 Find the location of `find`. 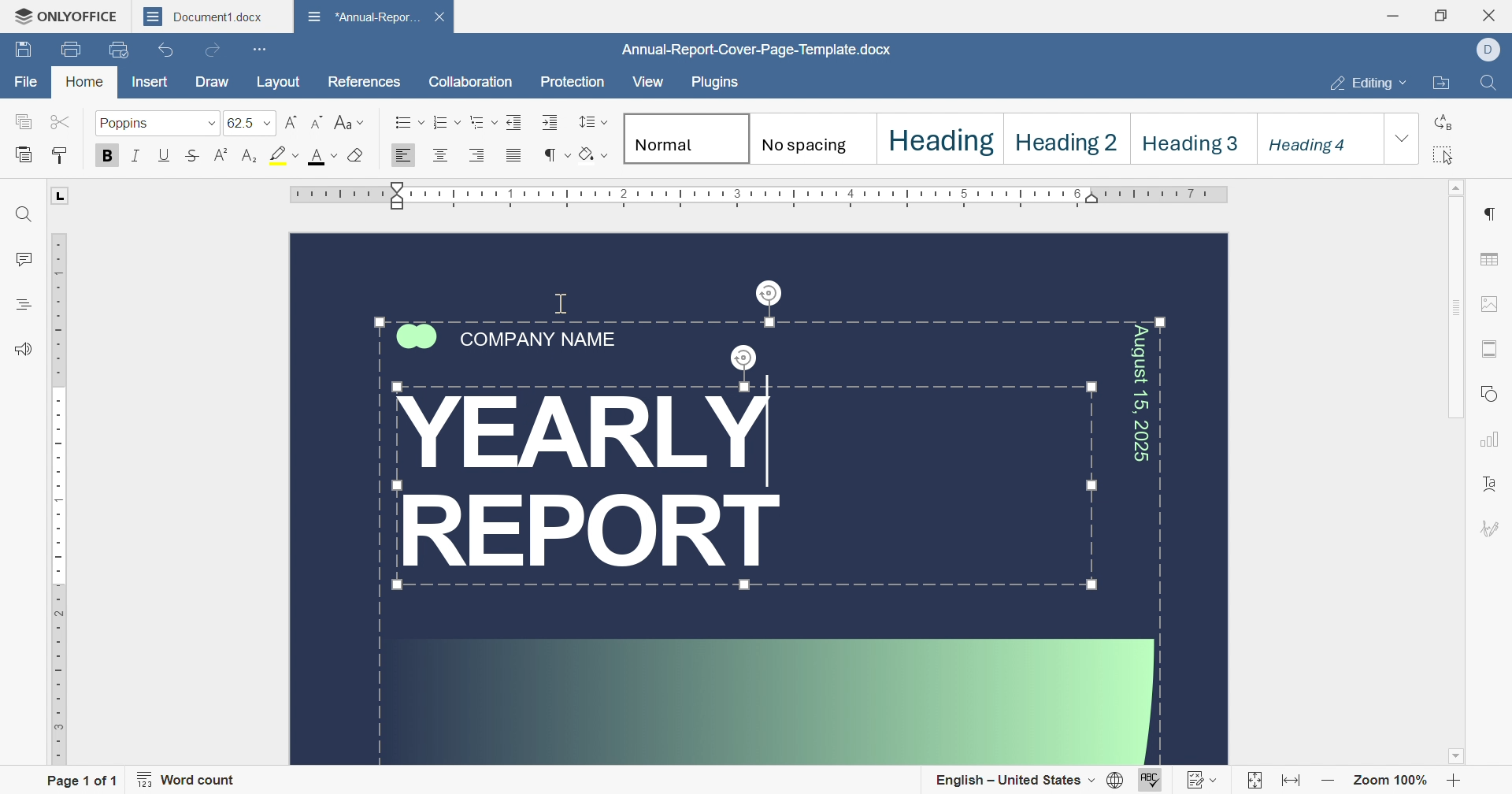

find is located at coordinates (1491, 84).